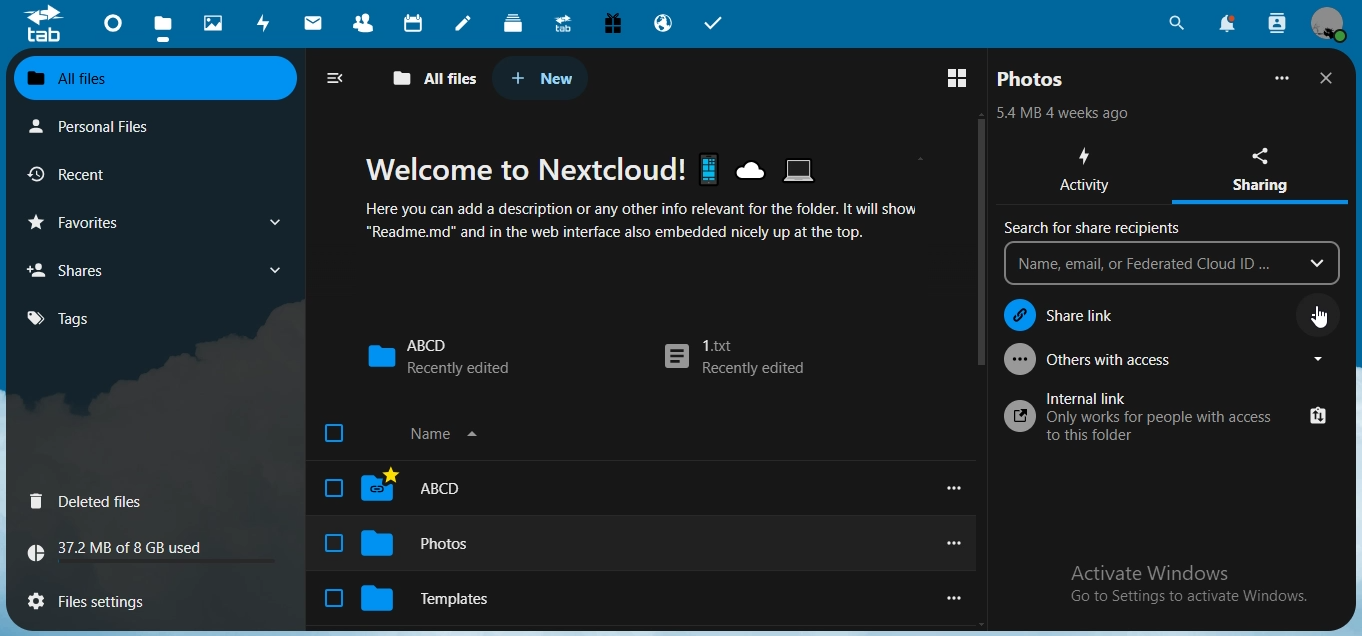  I want to click on checkbox, so click(335, 542).